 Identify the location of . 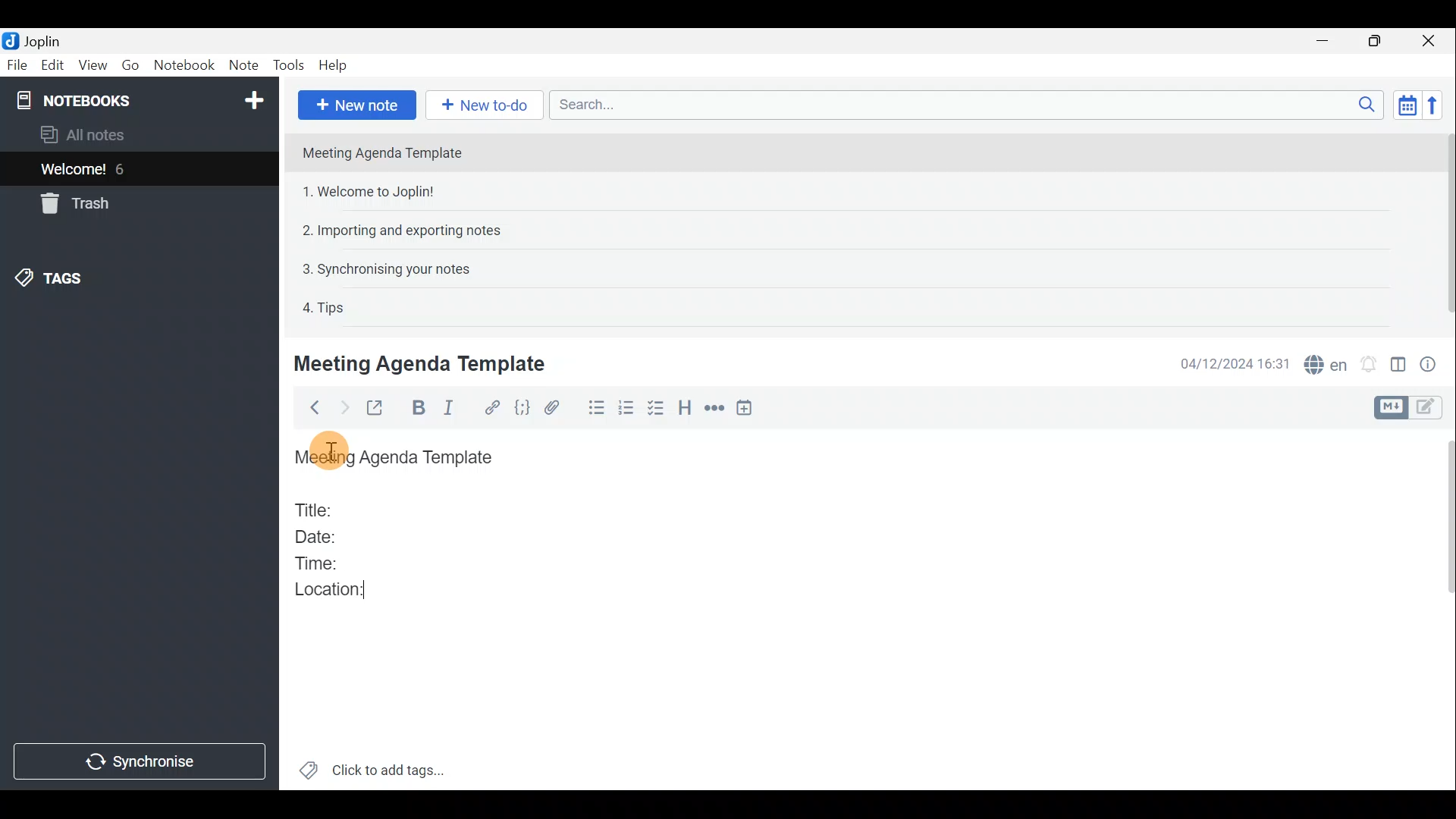
(332, 450).